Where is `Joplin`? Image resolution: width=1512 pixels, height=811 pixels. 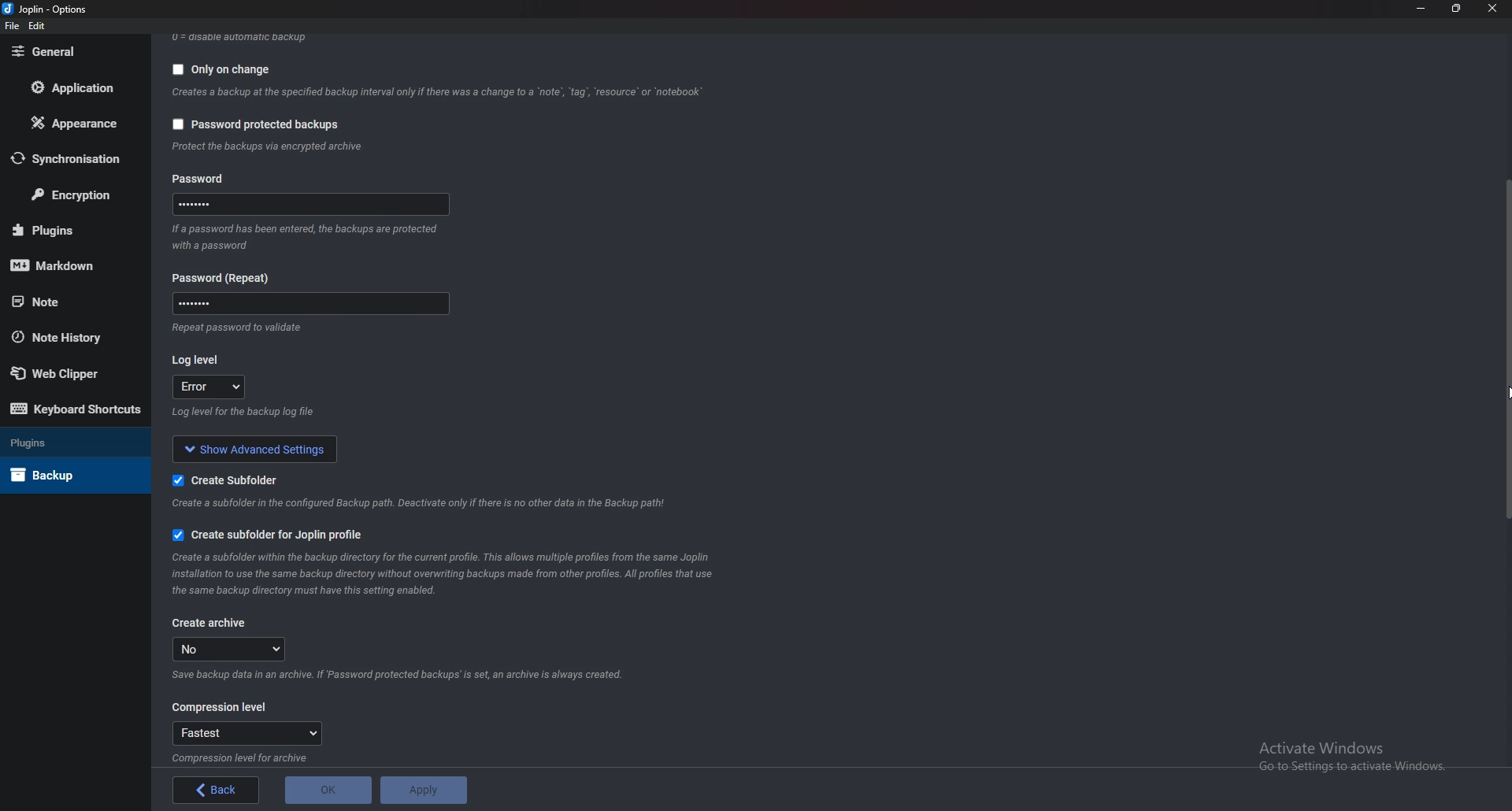 Joplin is located at coordinates (46, 9).